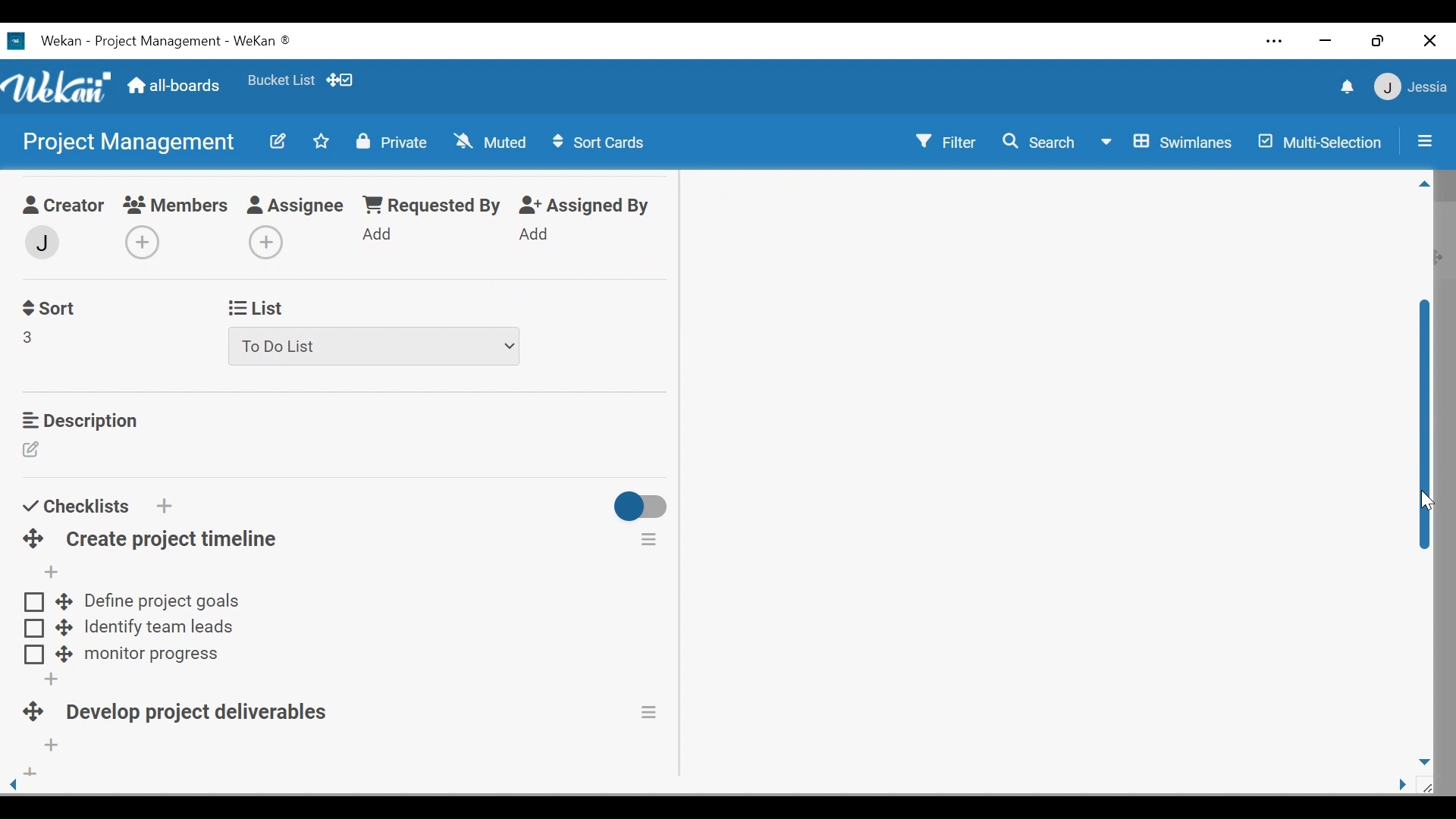 Image resolution: width=1456 pixels, height=819 pixels. I want to click on Field, so click(29, 337).